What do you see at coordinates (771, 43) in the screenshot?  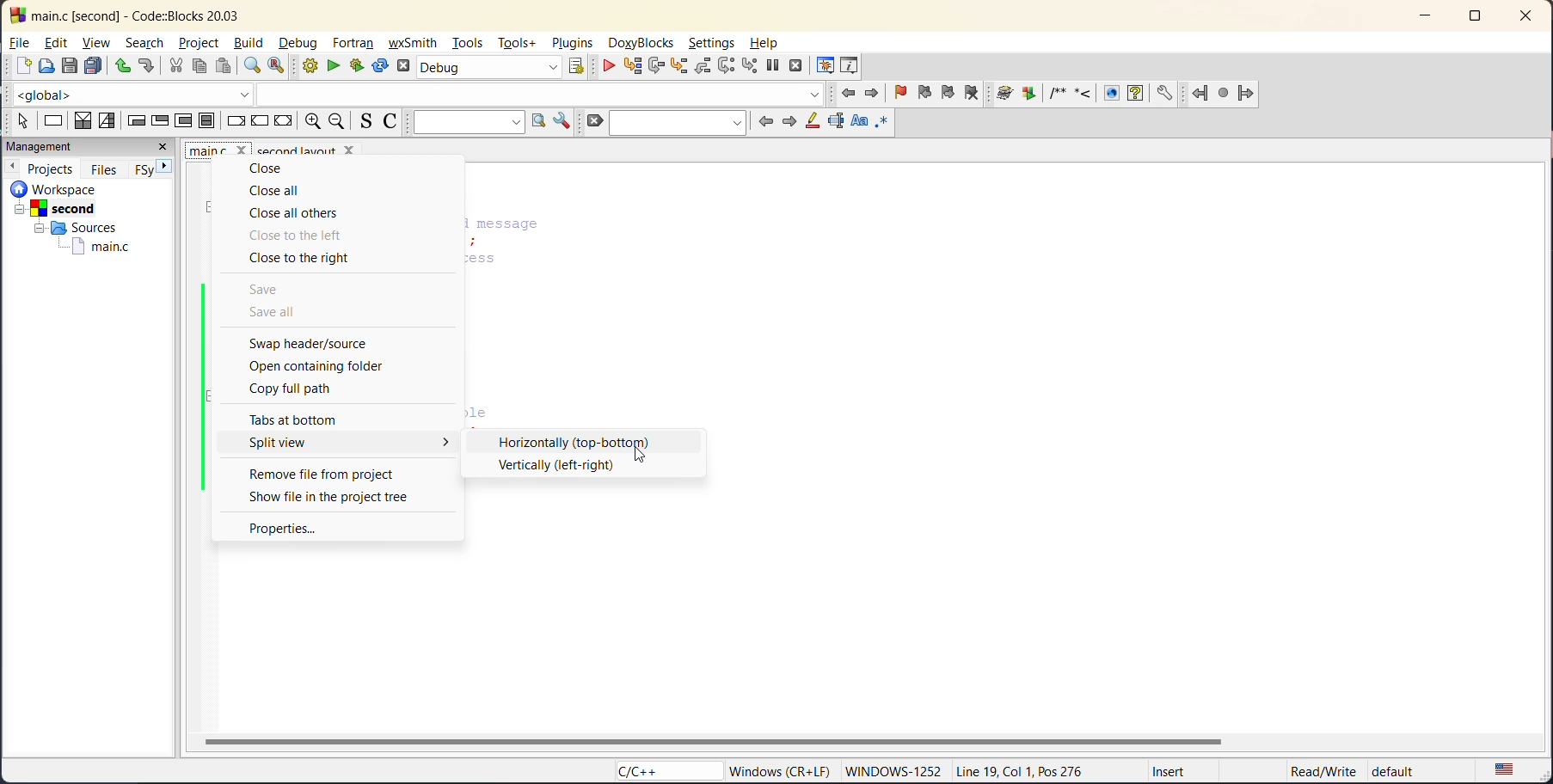 I see `help` at bounding box center [771, 43].